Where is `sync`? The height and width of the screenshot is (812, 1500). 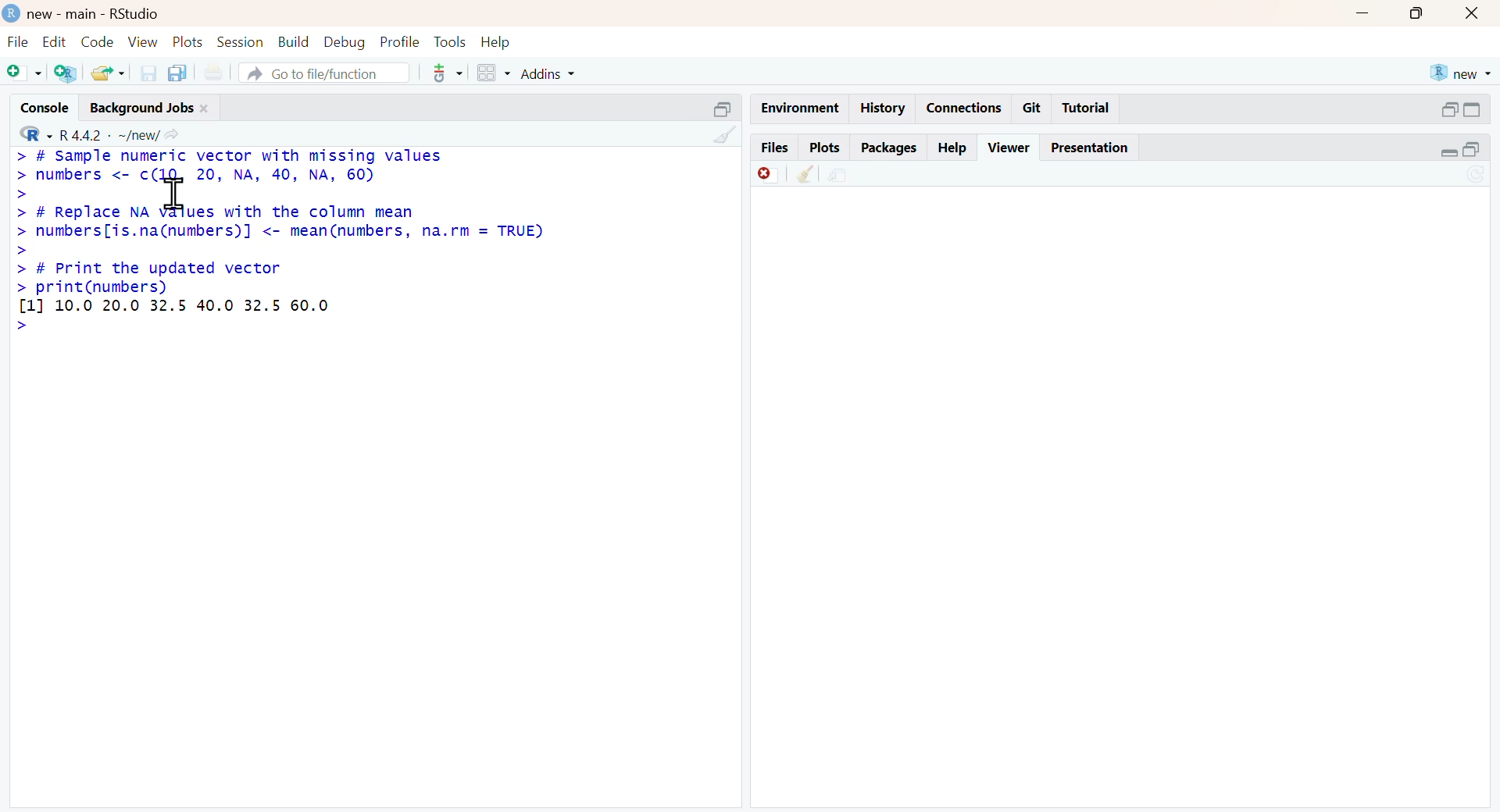
sync is located at coordinates (1476, 175).